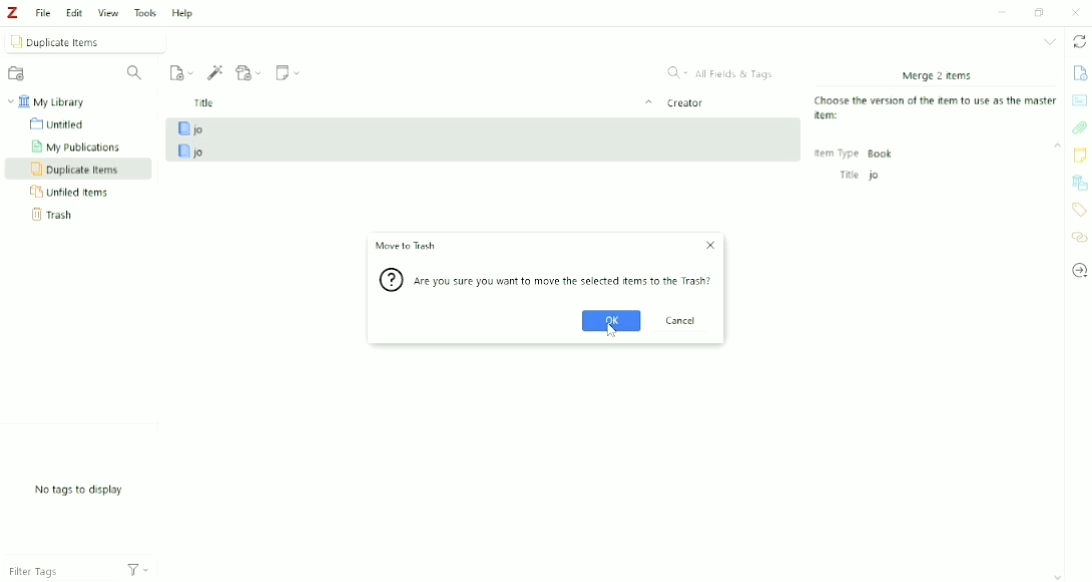  Describe the element at coordinates (686, 103) in the screenshot. I see `Creator` at that location.